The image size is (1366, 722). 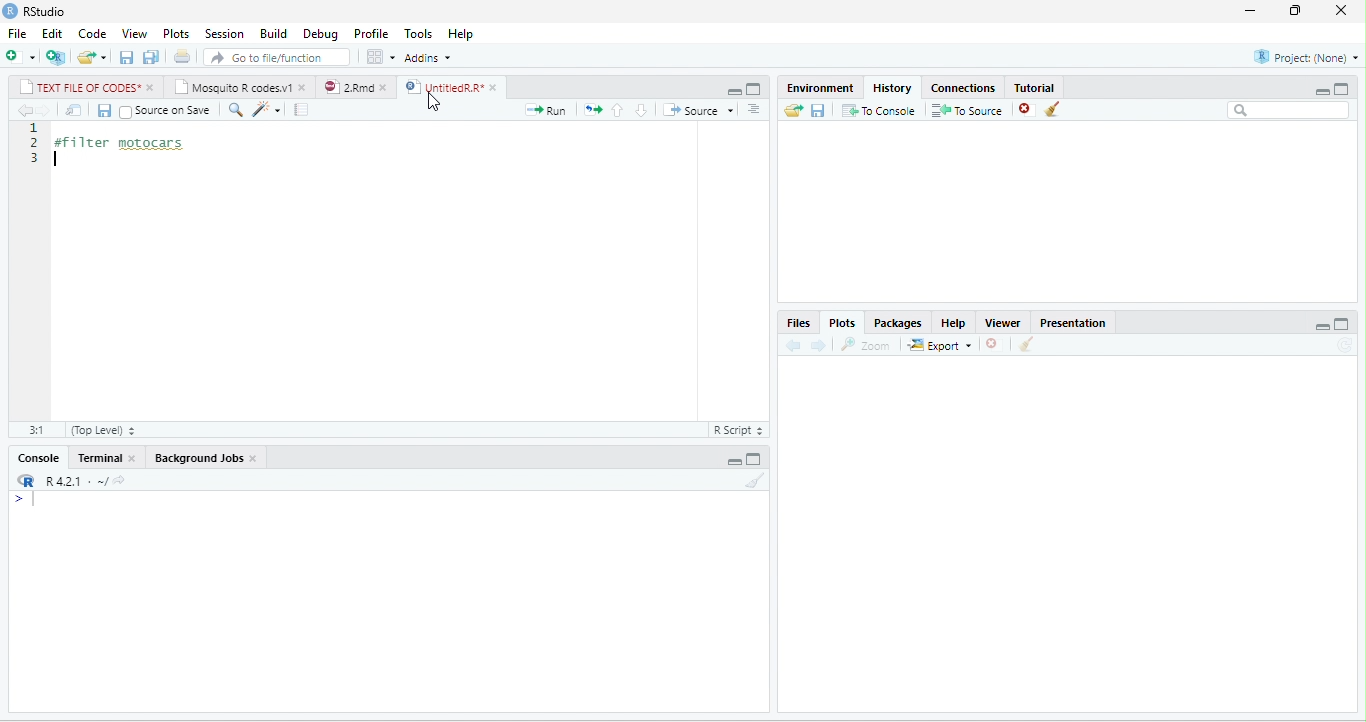 I want to click on minimize, so click(x=1321, y=91).